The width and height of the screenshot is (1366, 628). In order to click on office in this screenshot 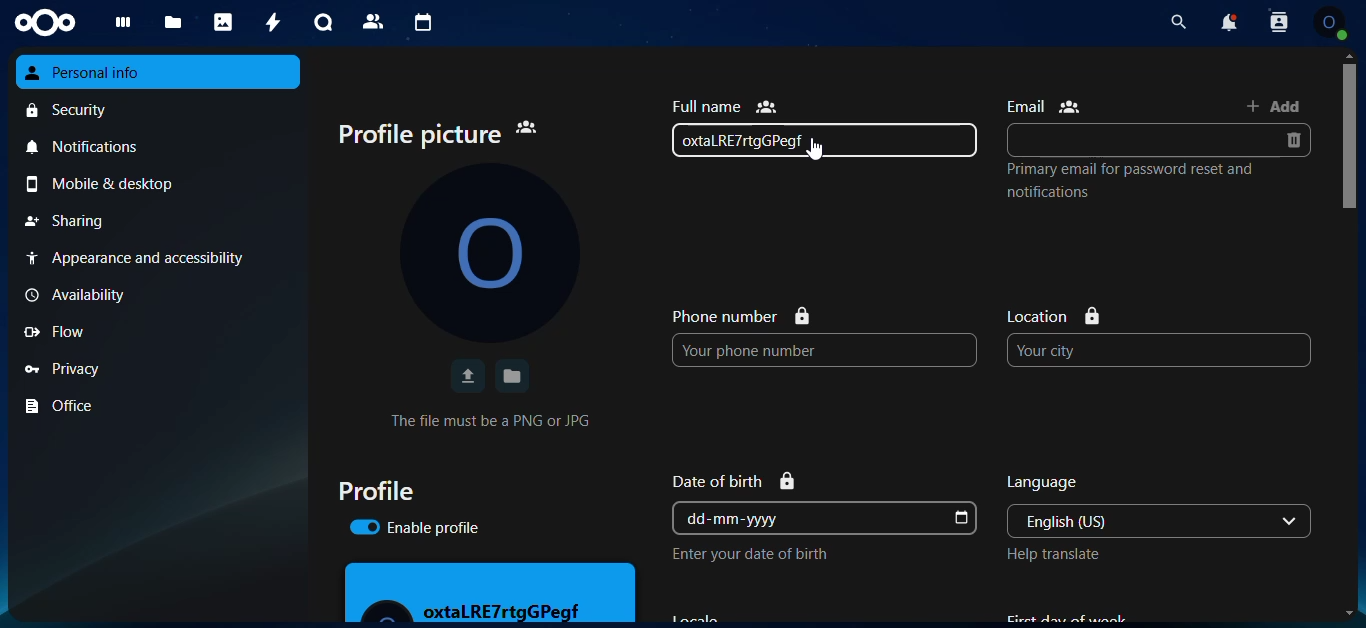, I will do `click(160, 406)`.